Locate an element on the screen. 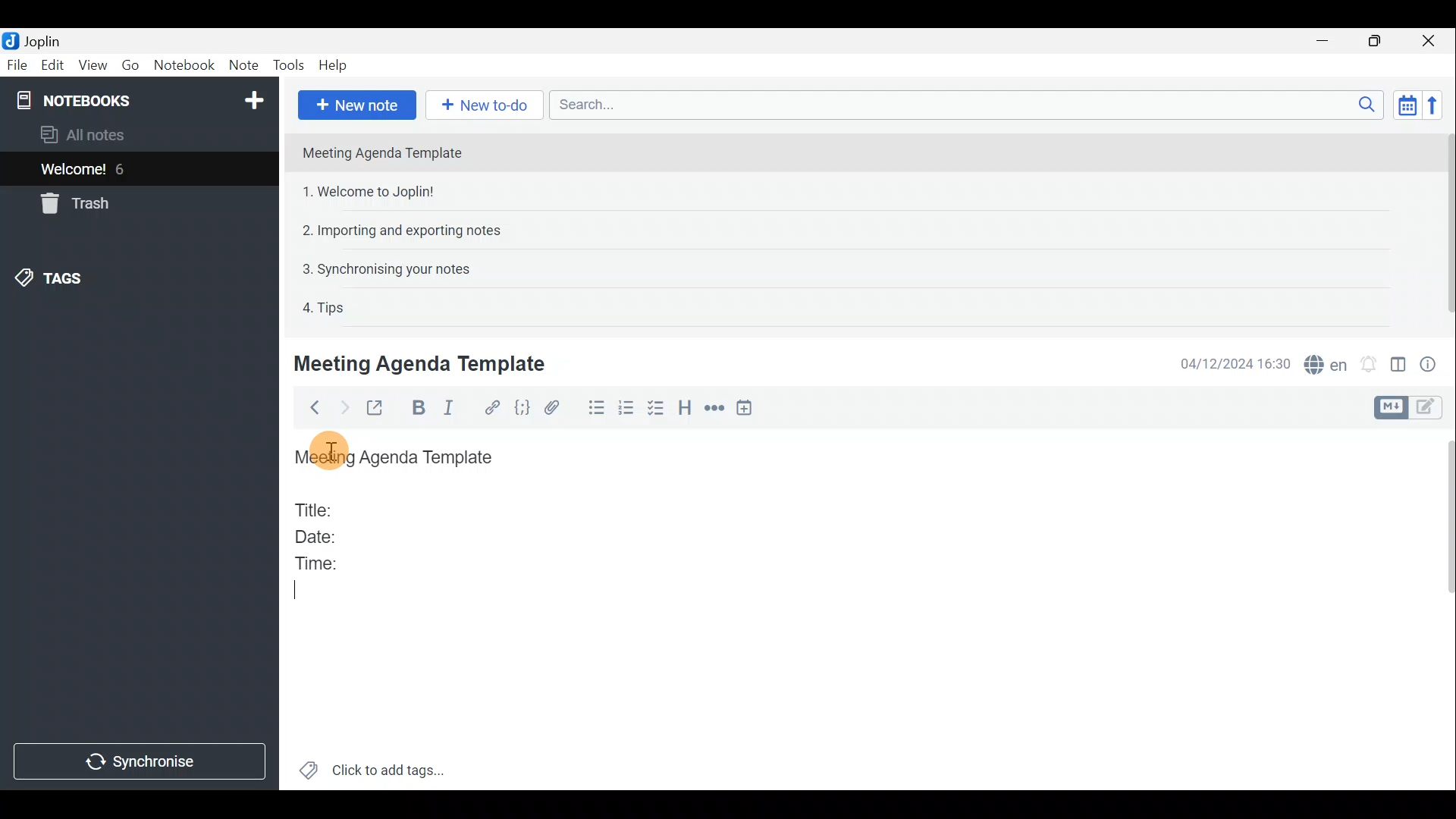  Numbered list is located at coordinates (626, 410).